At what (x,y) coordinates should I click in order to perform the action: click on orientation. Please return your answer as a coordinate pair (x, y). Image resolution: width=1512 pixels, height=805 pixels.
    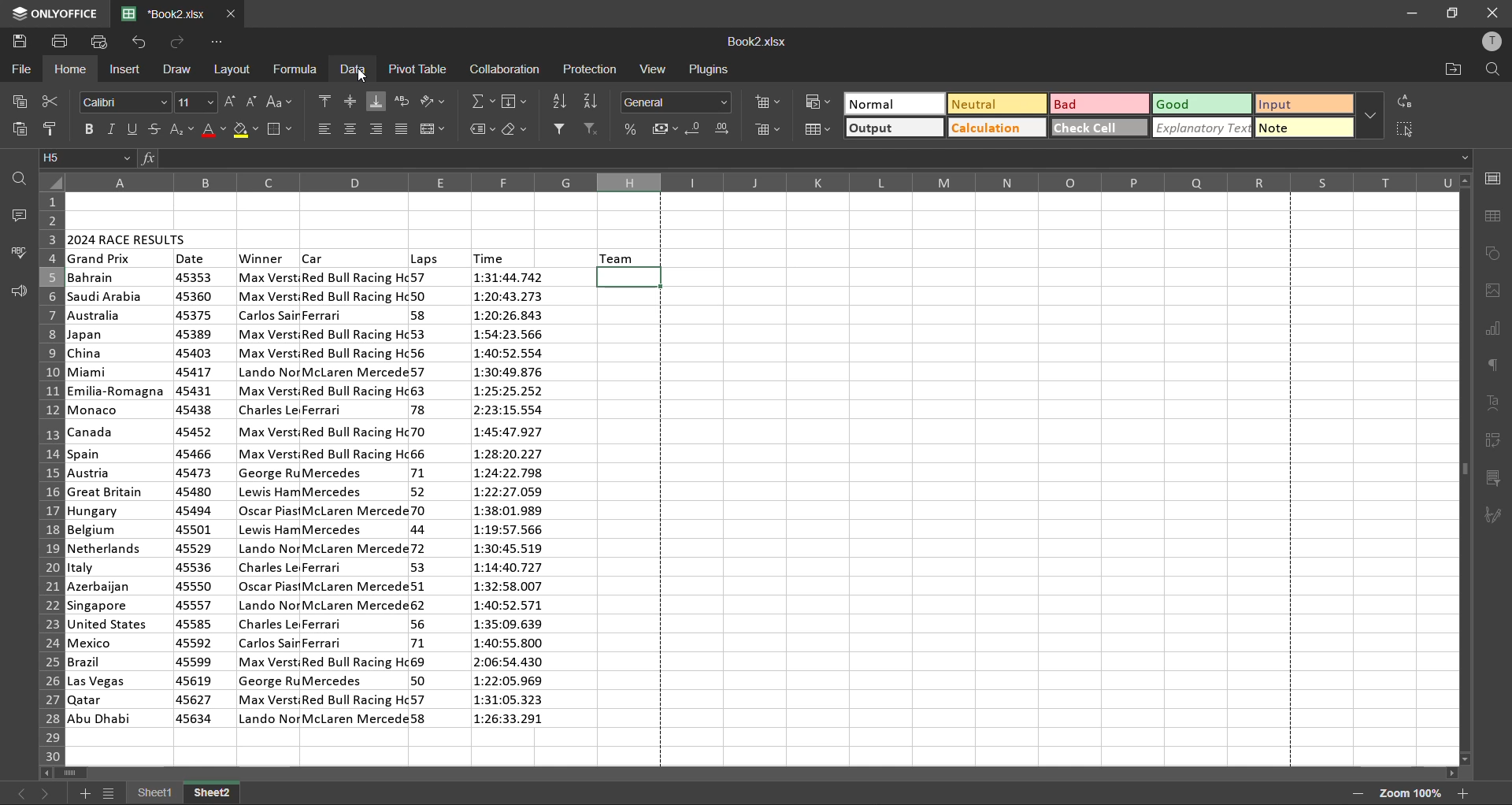
    Looking at the image, I should click on (433, 102).